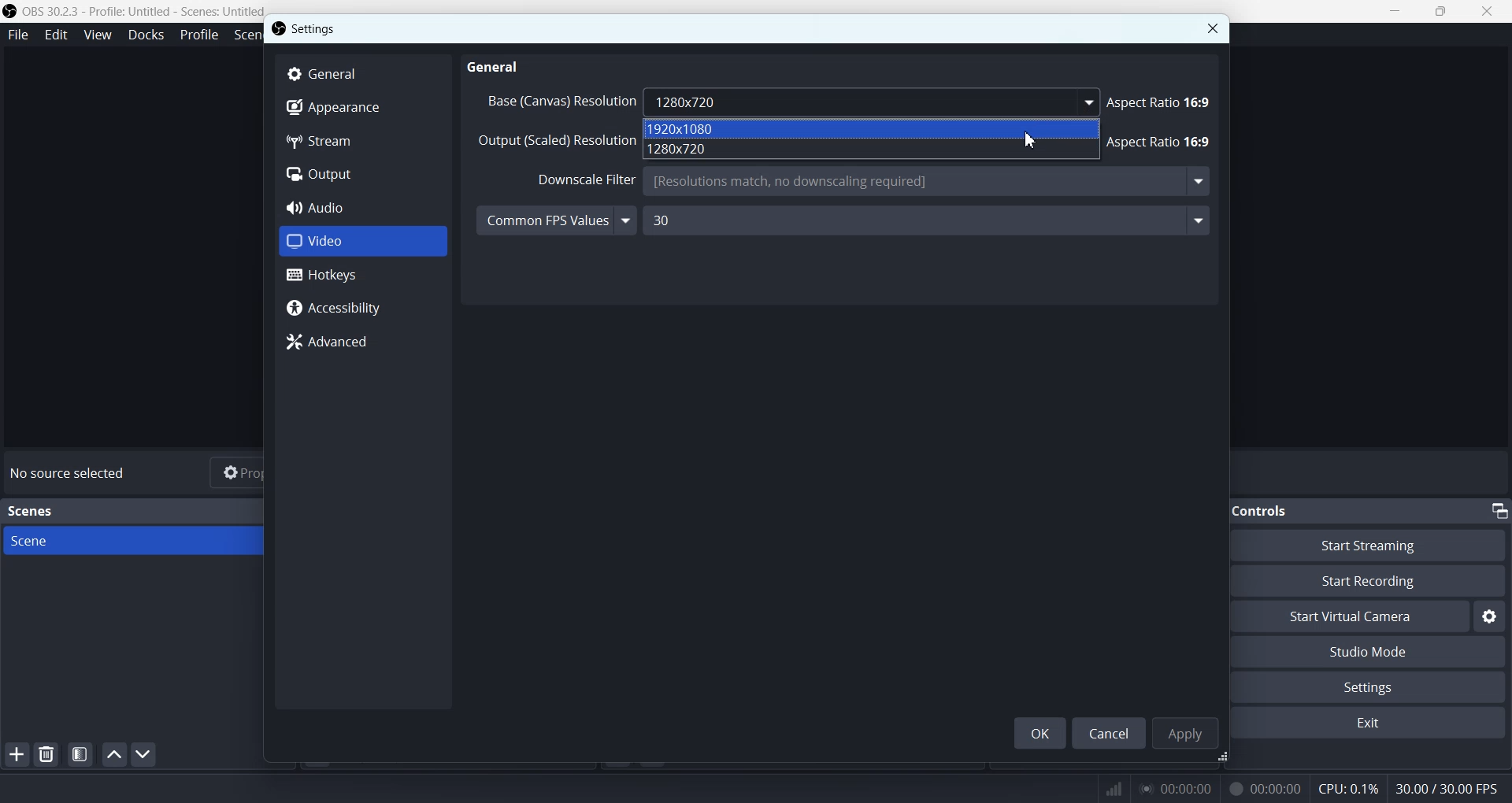  Describe the element at coordinates (114, 754) in the screenshot. I see `Move scene up` at that location.